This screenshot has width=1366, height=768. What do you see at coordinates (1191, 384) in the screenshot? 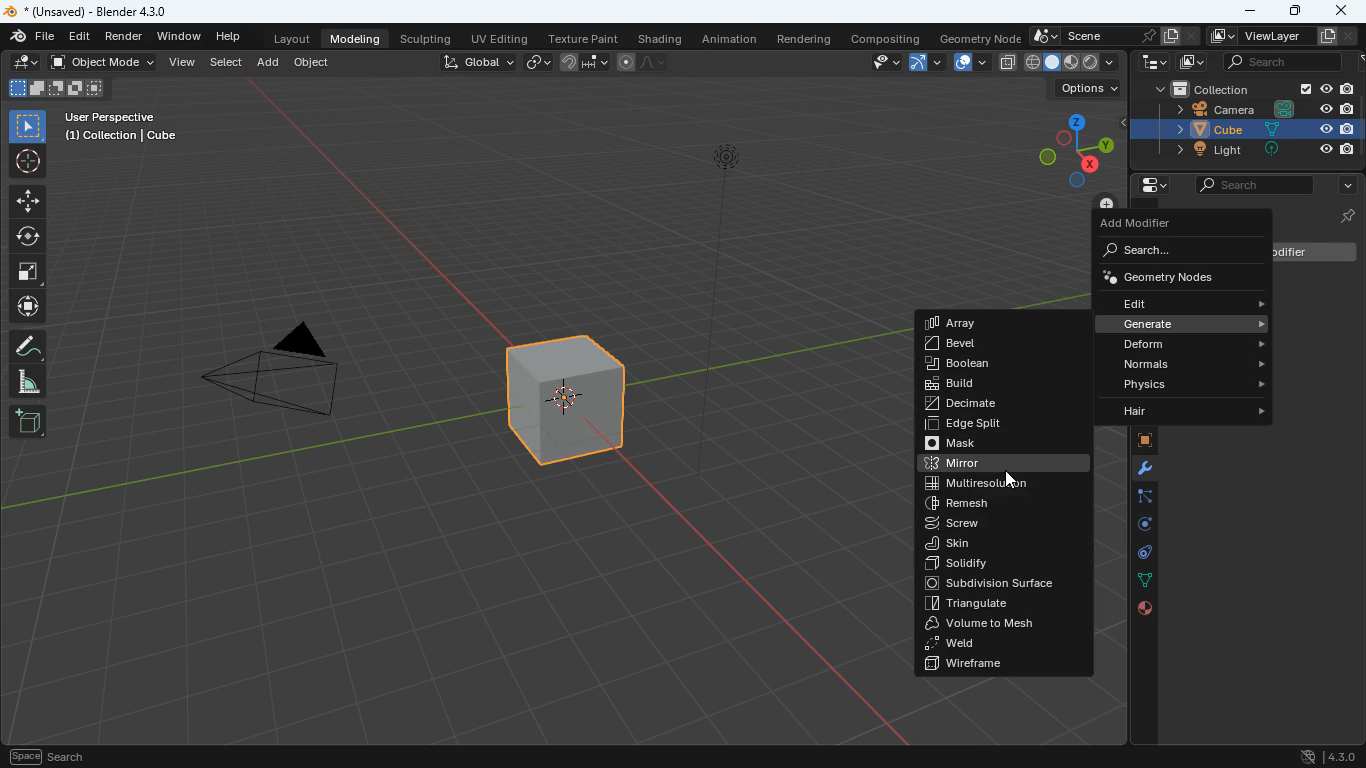
I see `physics` at bounding box center [1191, 384].